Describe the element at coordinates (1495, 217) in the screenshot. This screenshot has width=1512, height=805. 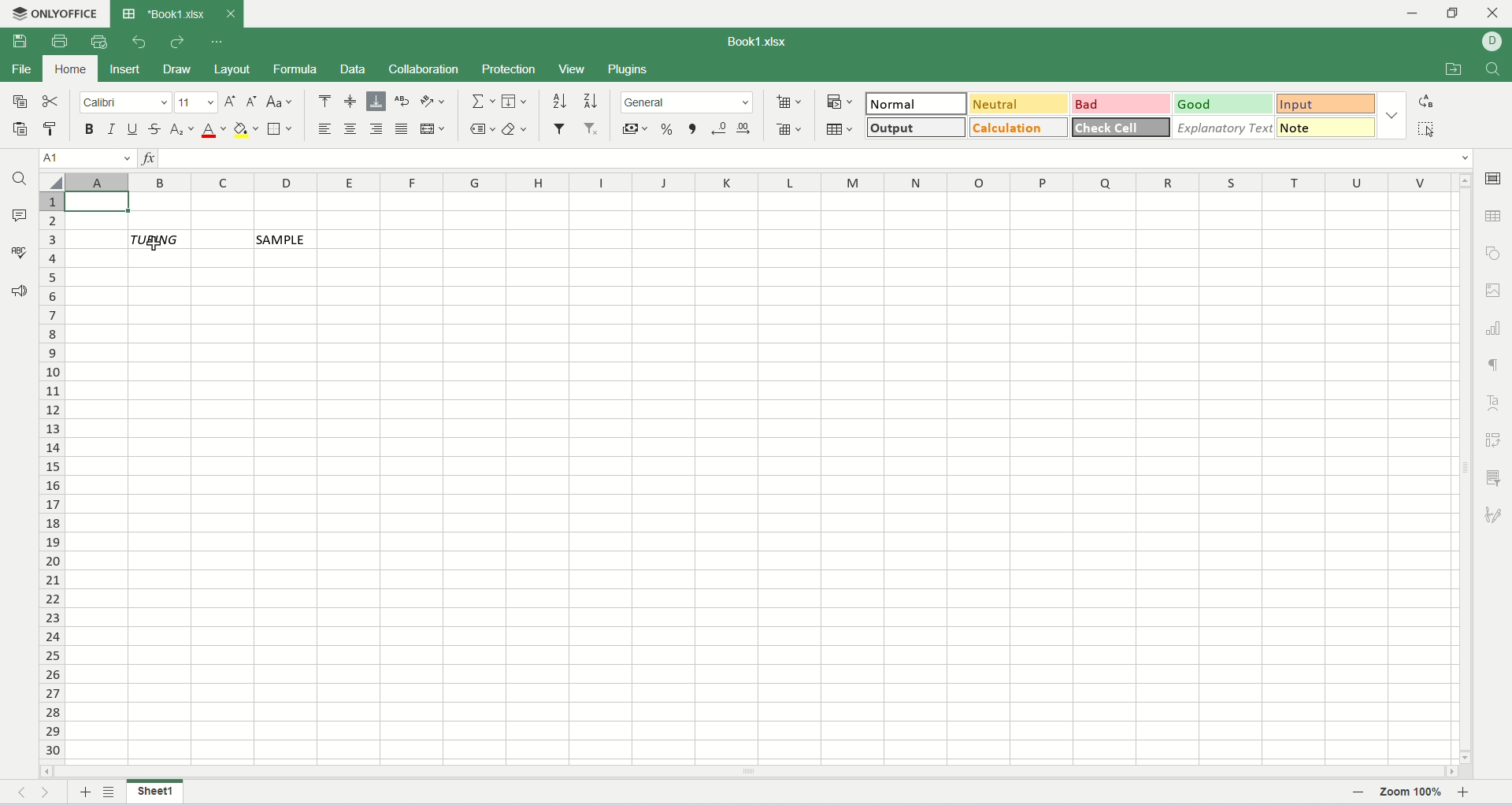
I see `table settings` at that location.